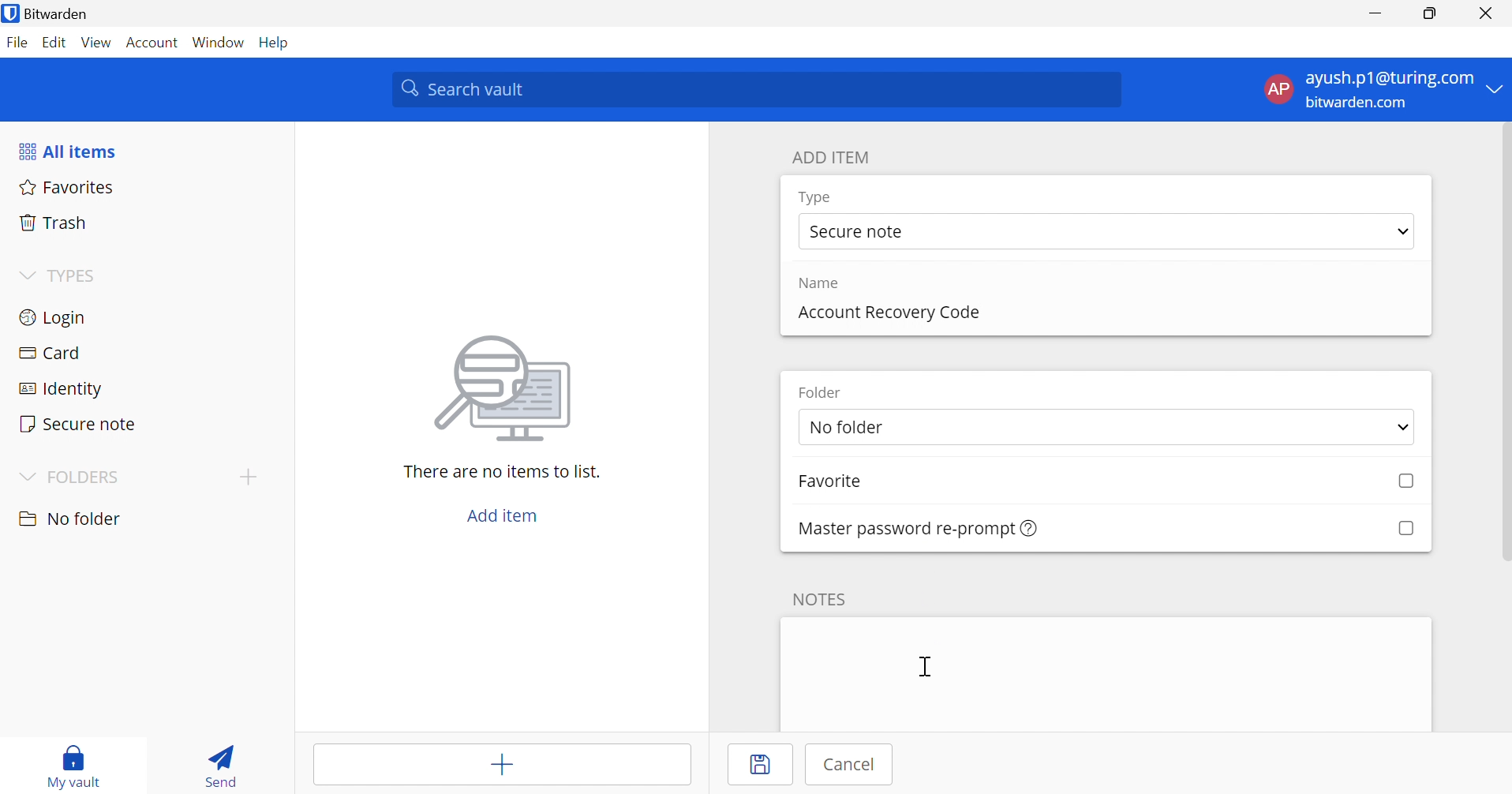 This screenshot has height=794, width=1512. I want to click on Cancel, so click(855, 765).